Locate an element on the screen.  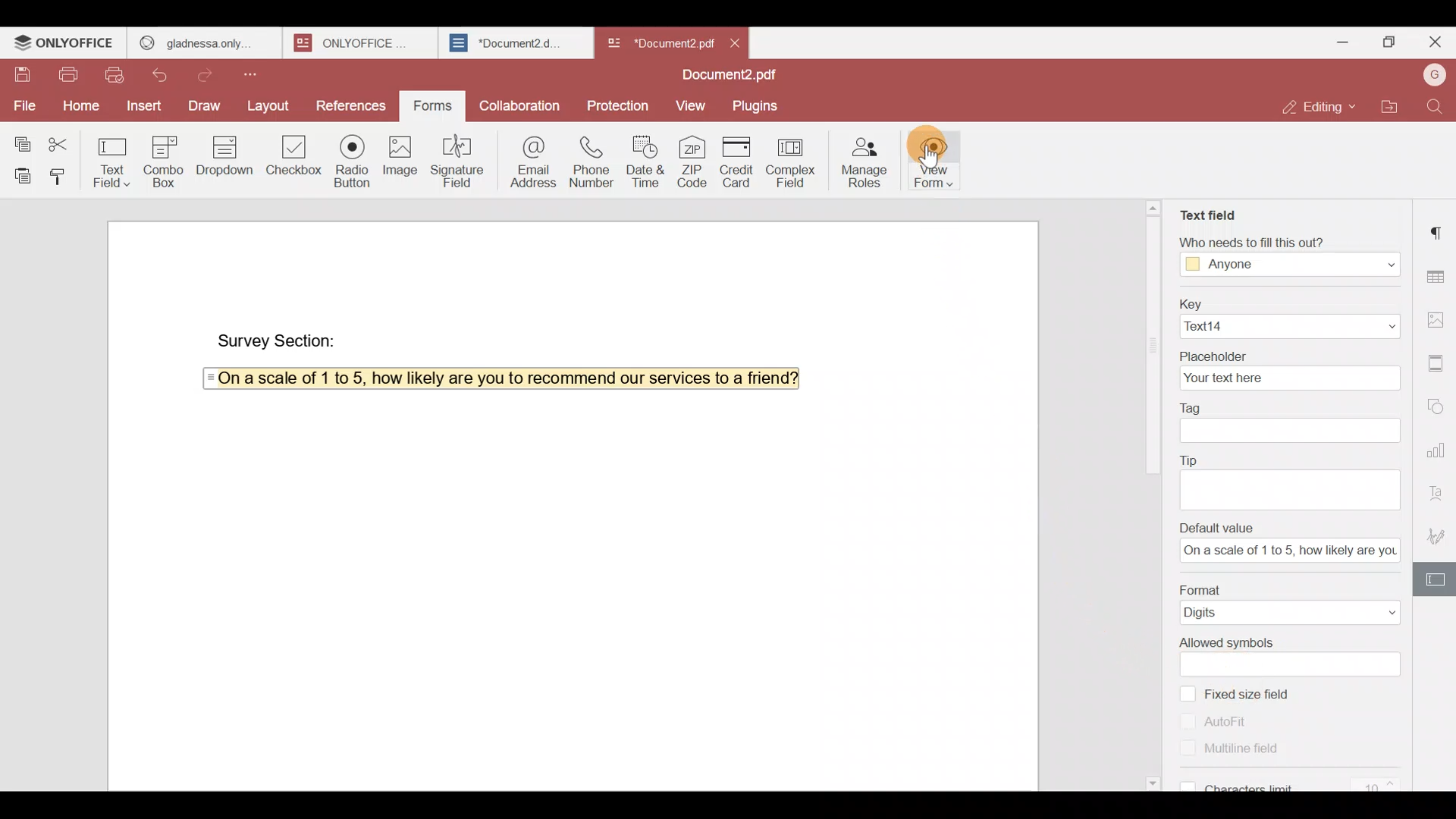
ZIP code is located at coordinates (695, 160).